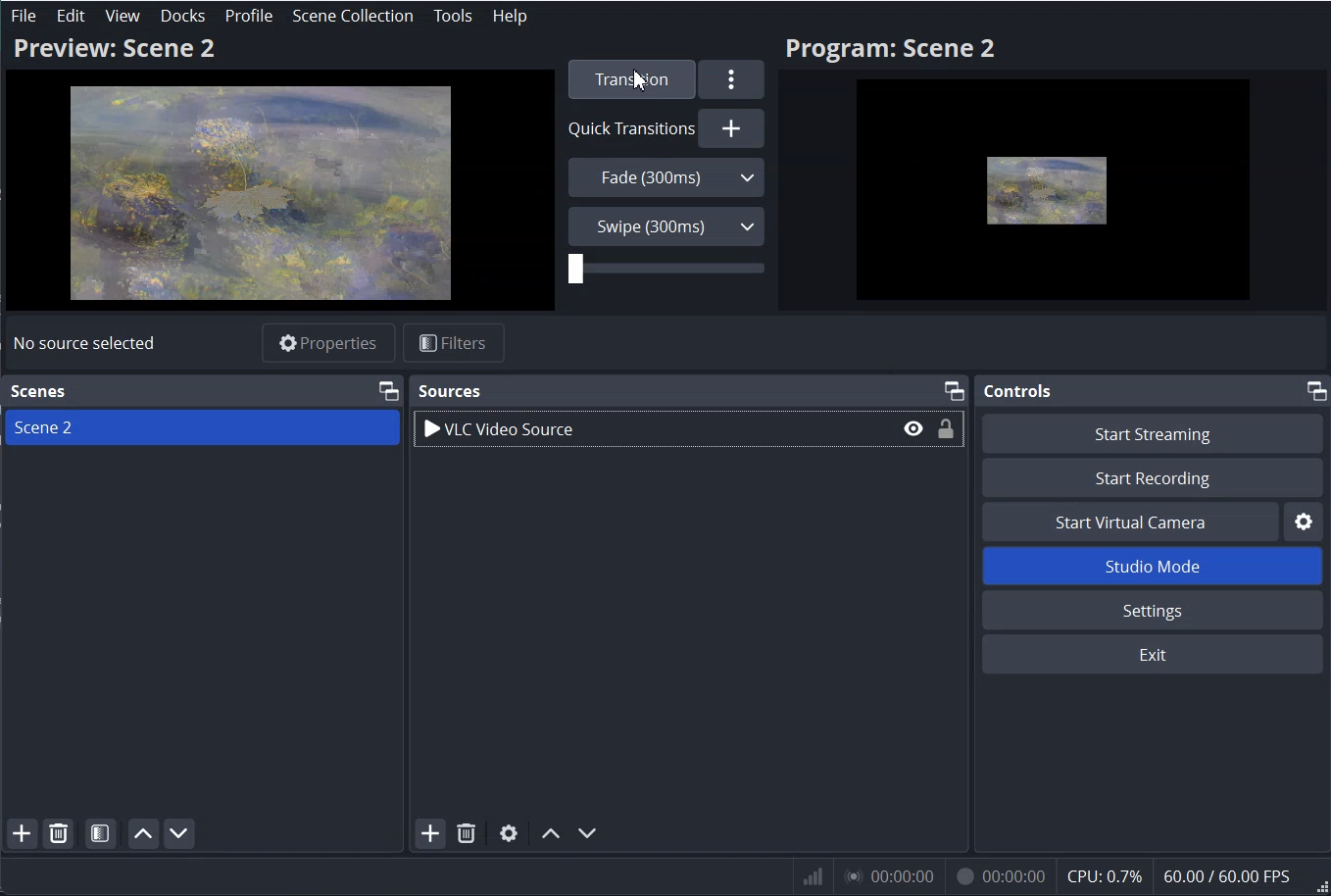 The image size is (1331, 896). Describe the element at coordinates (1023, 392) in the screenshot. I see `Control` at that location.